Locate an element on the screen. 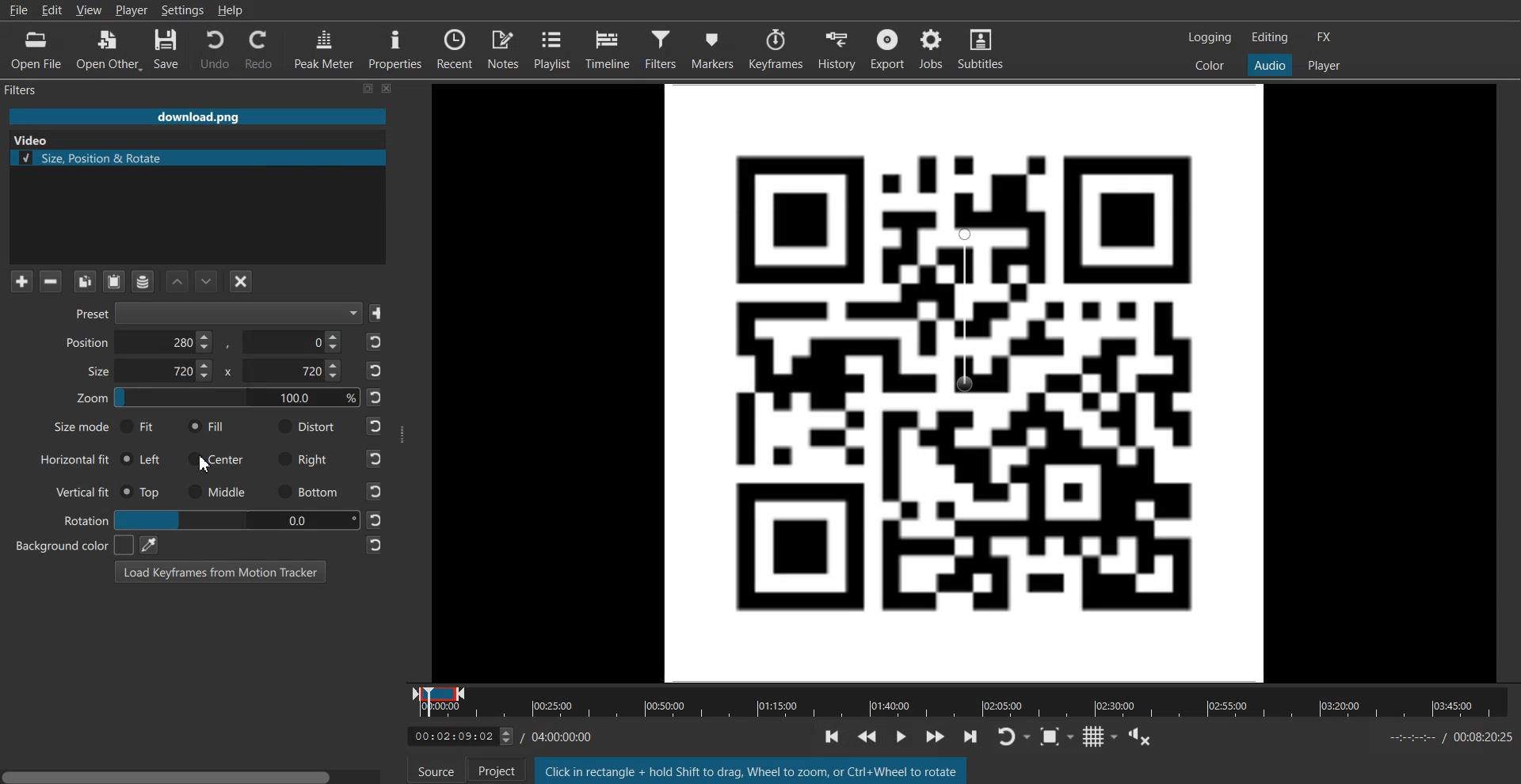 This screenshot has height=784, width=1521. Load Keyframe From Motion Tracker is located at coordinates (220, 571).